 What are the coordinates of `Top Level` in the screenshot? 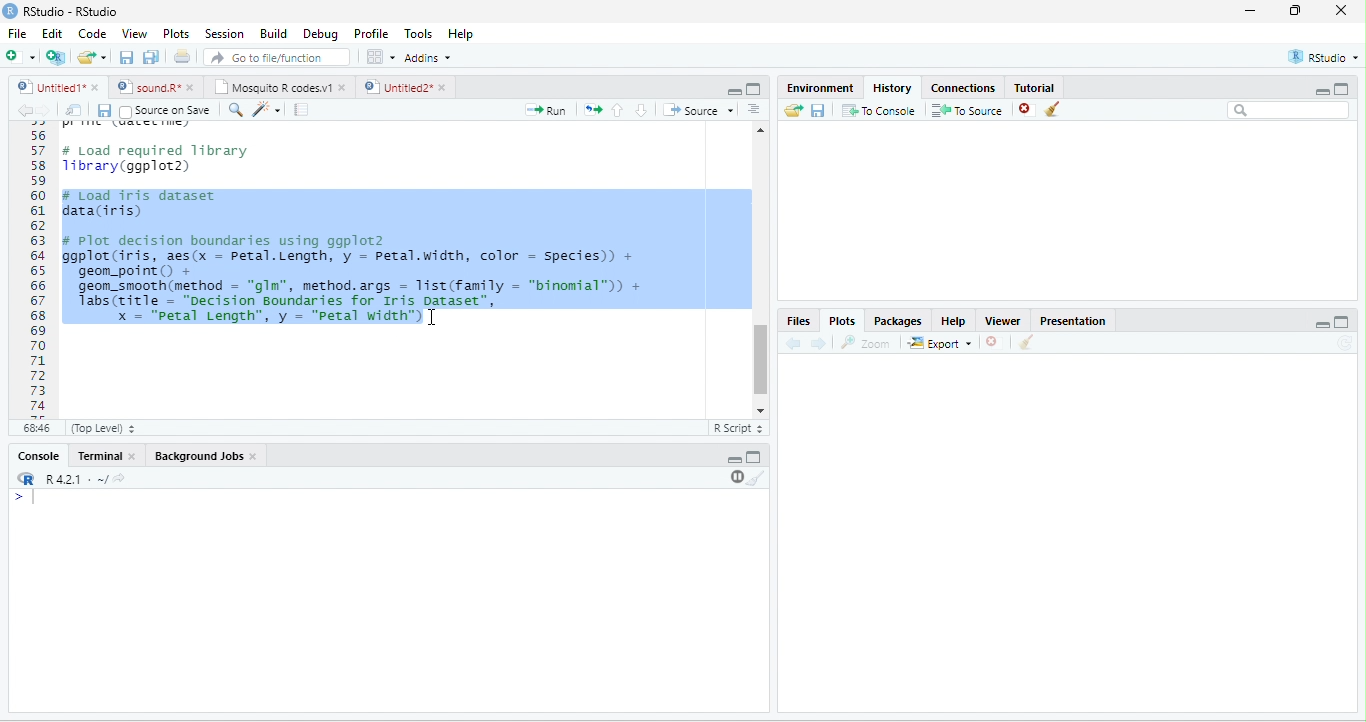 It's located at (103, 429).